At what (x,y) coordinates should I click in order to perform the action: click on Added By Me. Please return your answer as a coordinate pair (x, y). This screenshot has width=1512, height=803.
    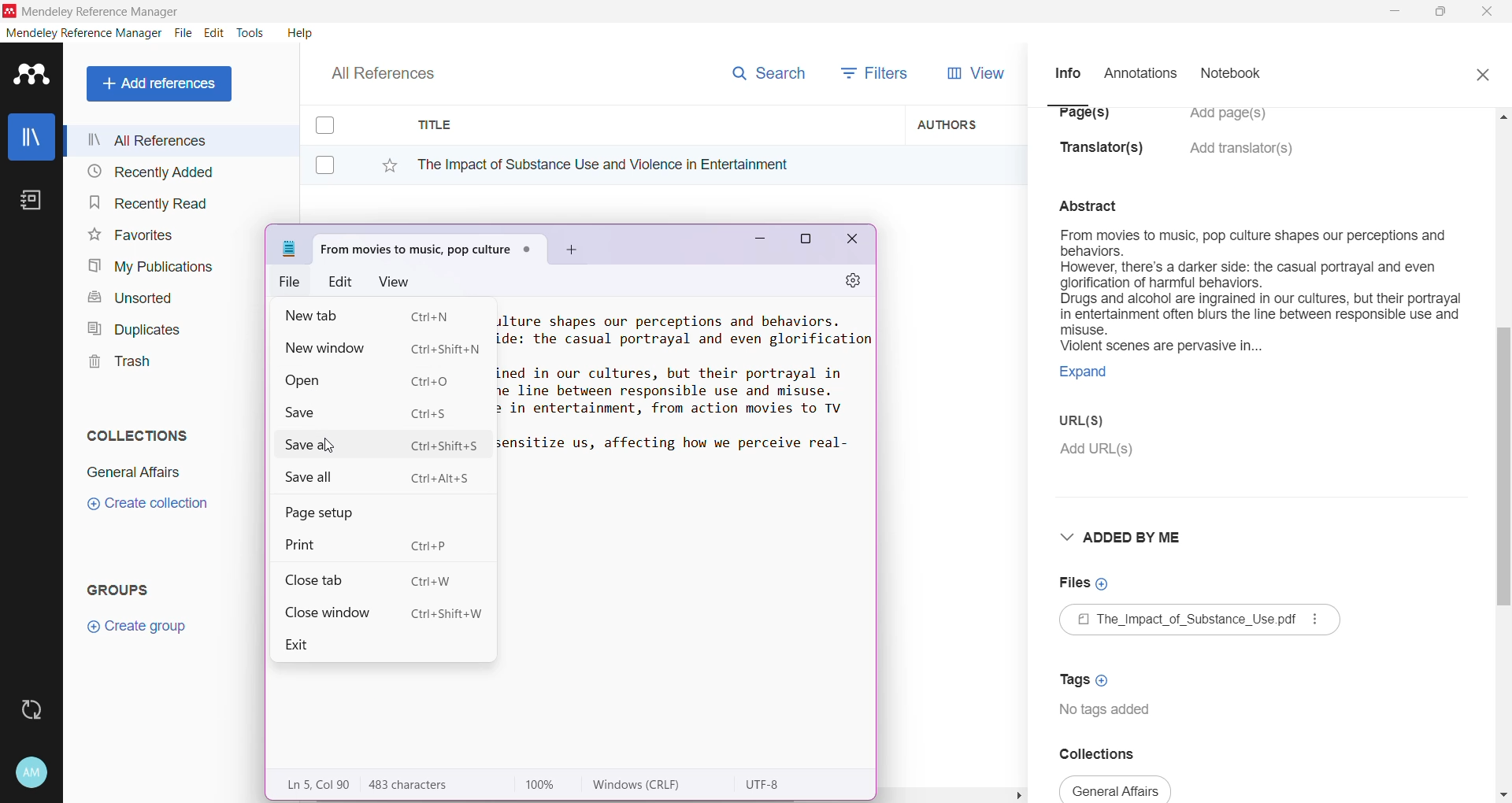
    Looking at the image, I should click on (1125, 537).